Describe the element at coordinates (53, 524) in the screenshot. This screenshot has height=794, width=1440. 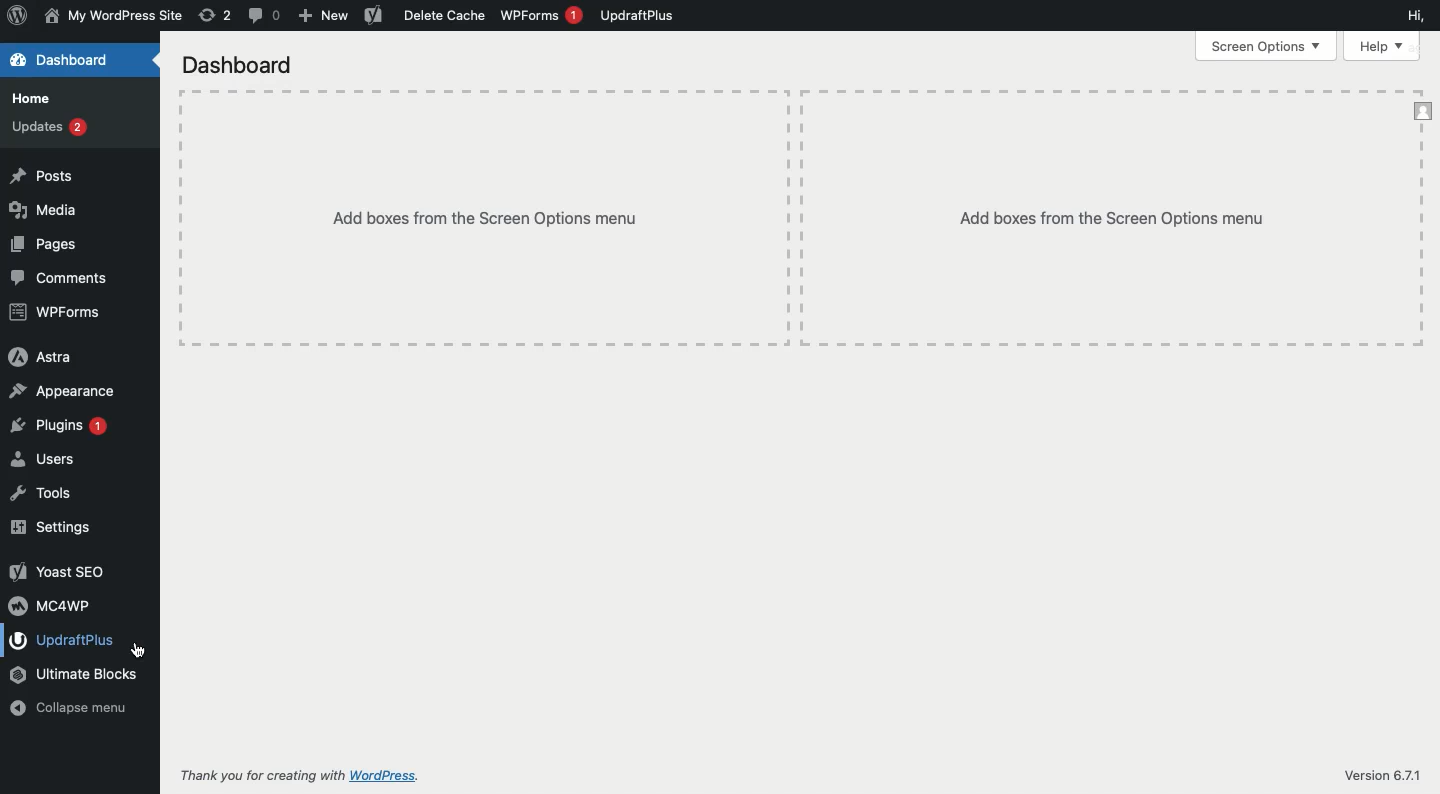
I see `Settings` at that location.